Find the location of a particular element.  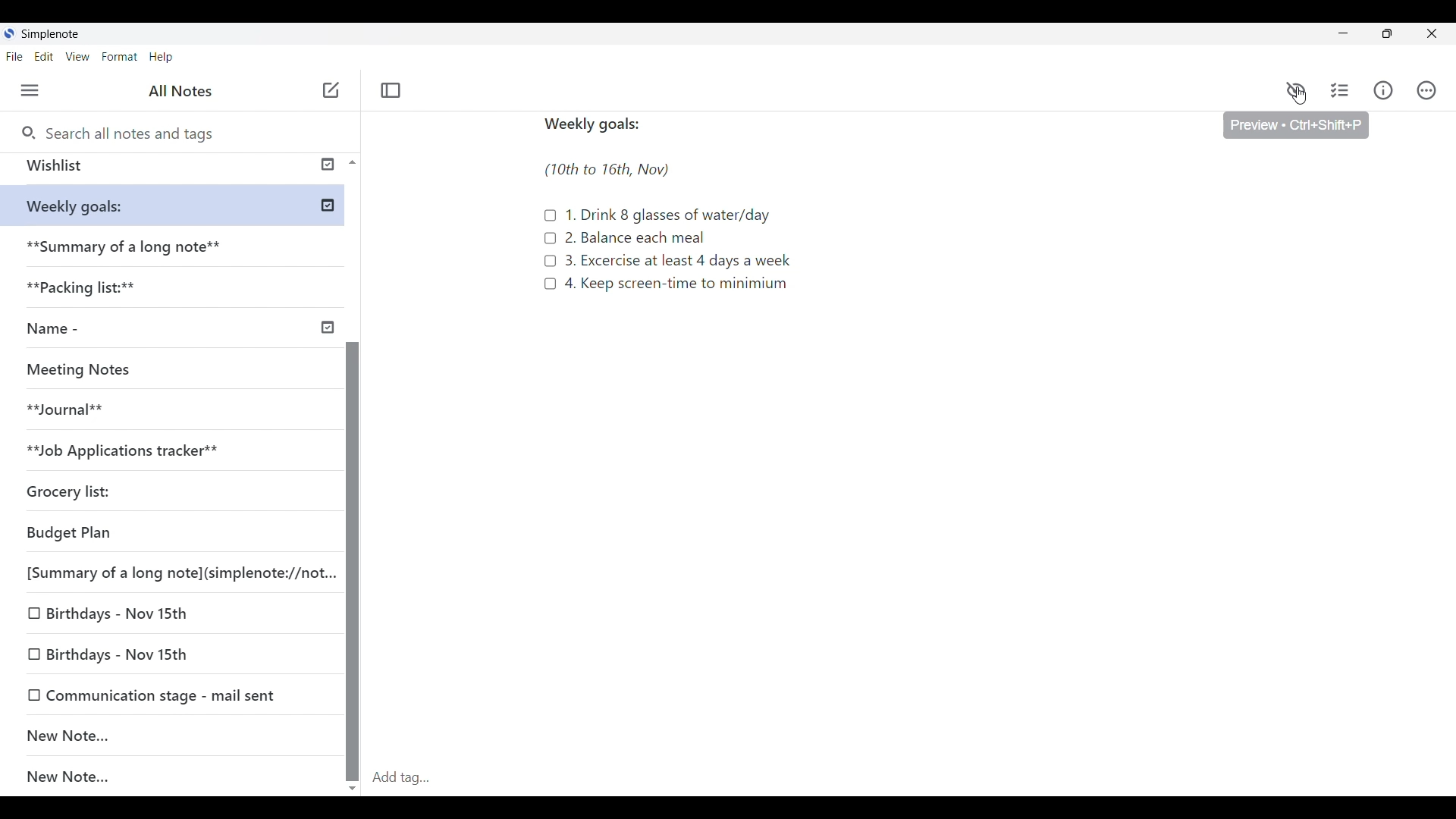

Budget Plan is located at coordinates (143, 529).